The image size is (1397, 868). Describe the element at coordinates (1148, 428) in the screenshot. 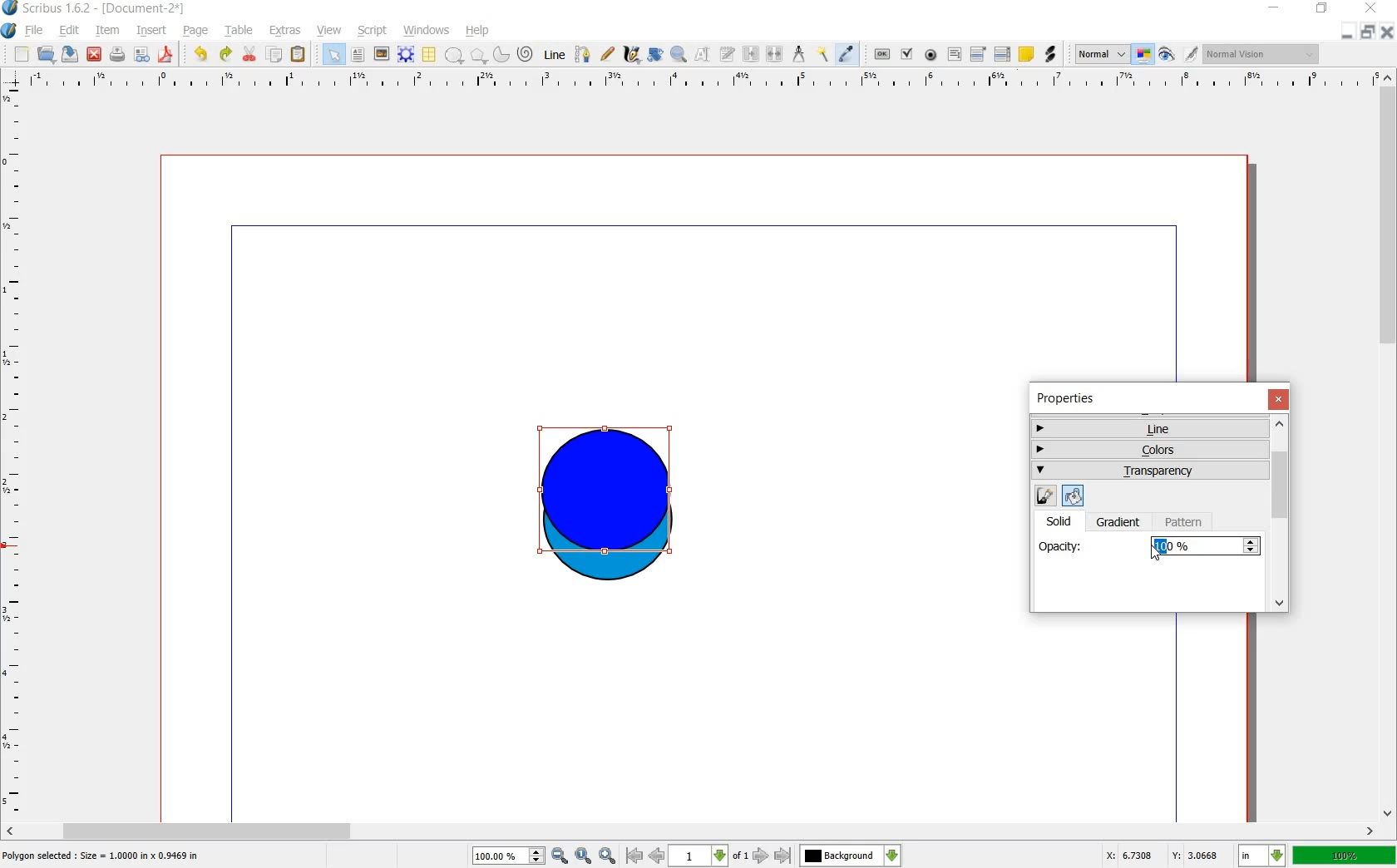

I see `line` at that location.